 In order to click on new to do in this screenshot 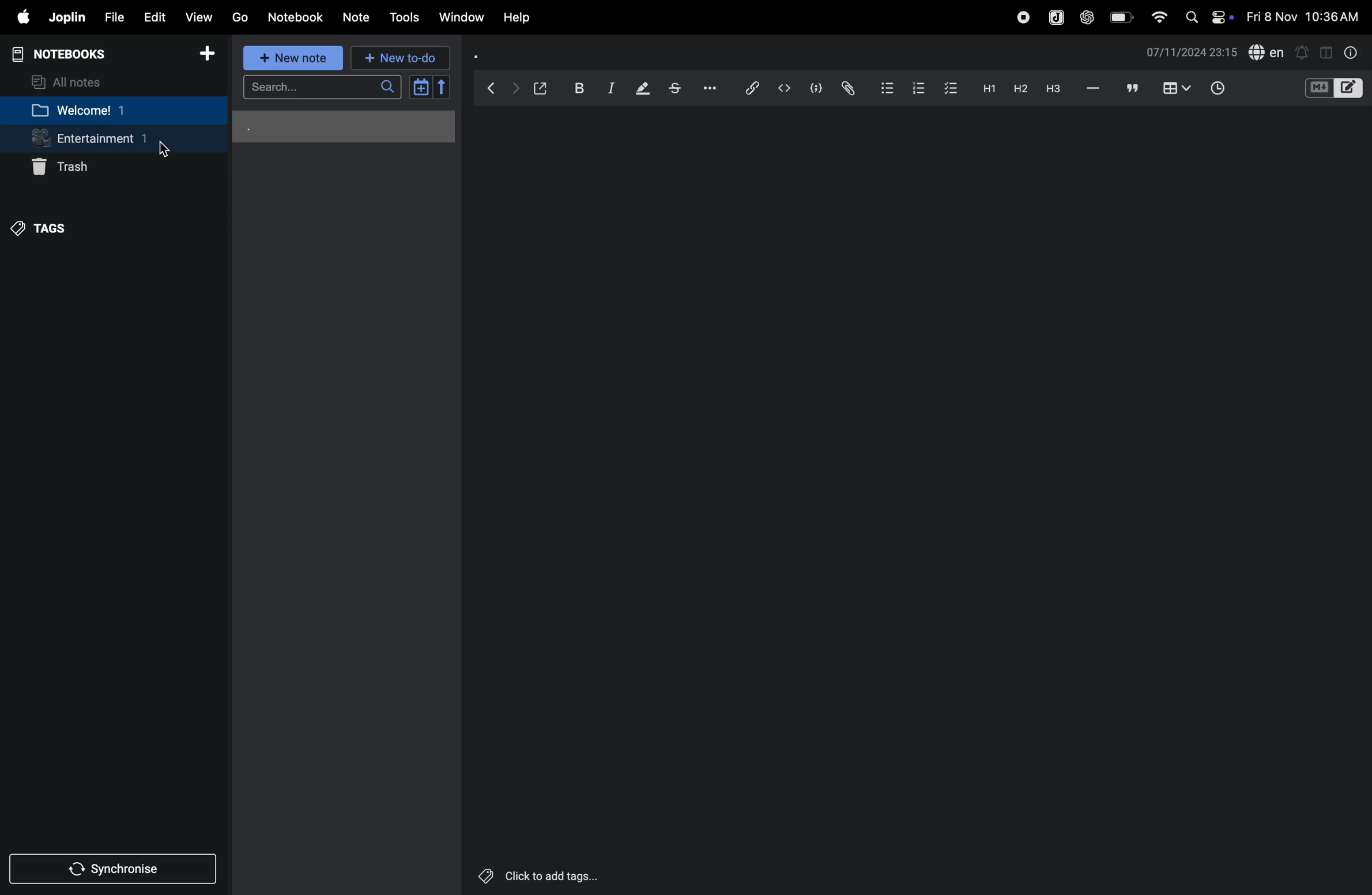, I will do `click(399, 58)`.